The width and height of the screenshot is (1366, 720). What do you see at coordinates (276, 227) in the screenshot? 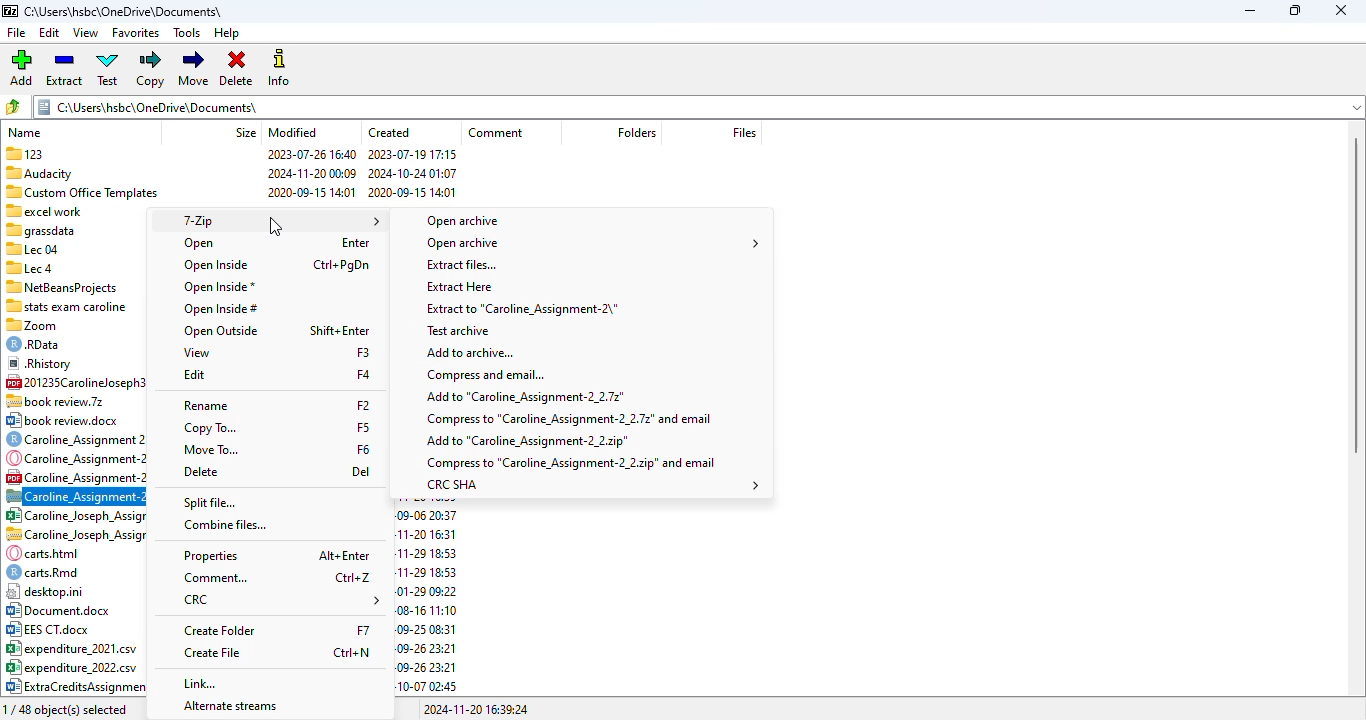
I see `cursor` at bounding box center [276, 227].